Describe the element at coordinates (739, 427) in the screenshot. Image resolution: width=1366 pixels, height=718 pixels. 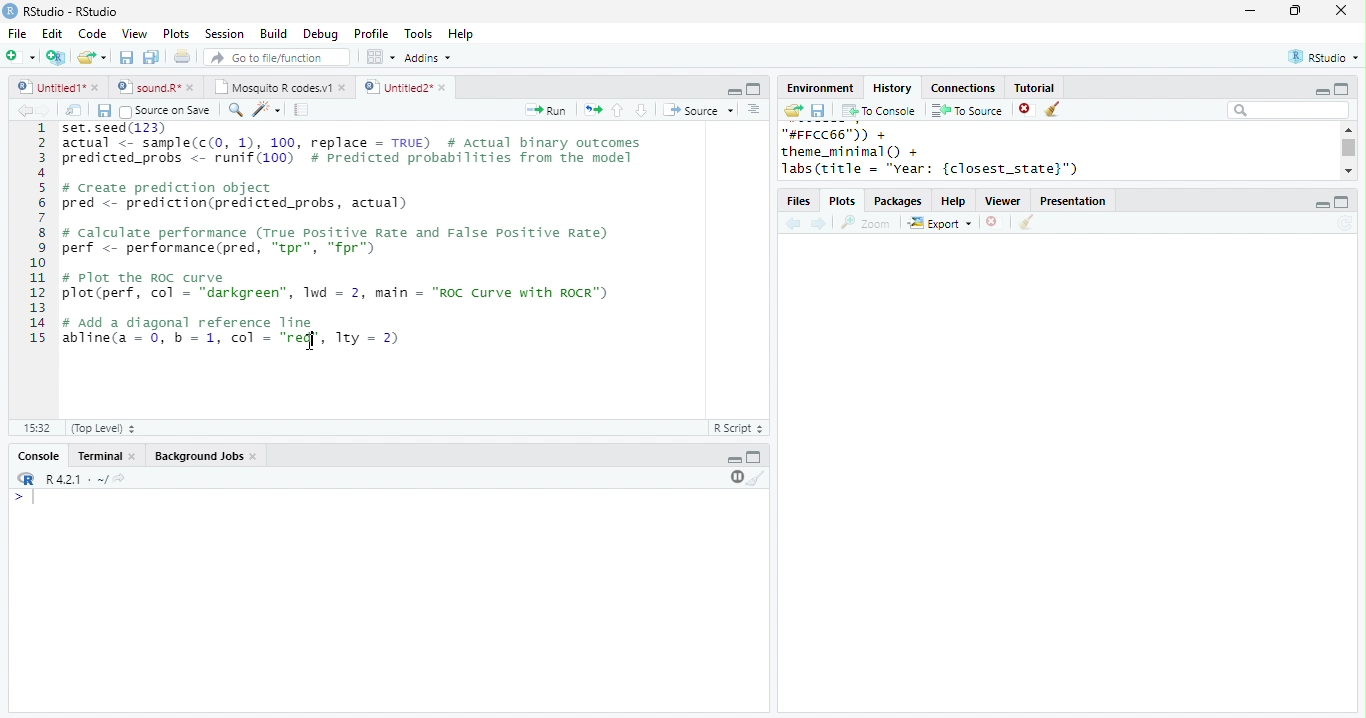
I see `R Script` at that location.